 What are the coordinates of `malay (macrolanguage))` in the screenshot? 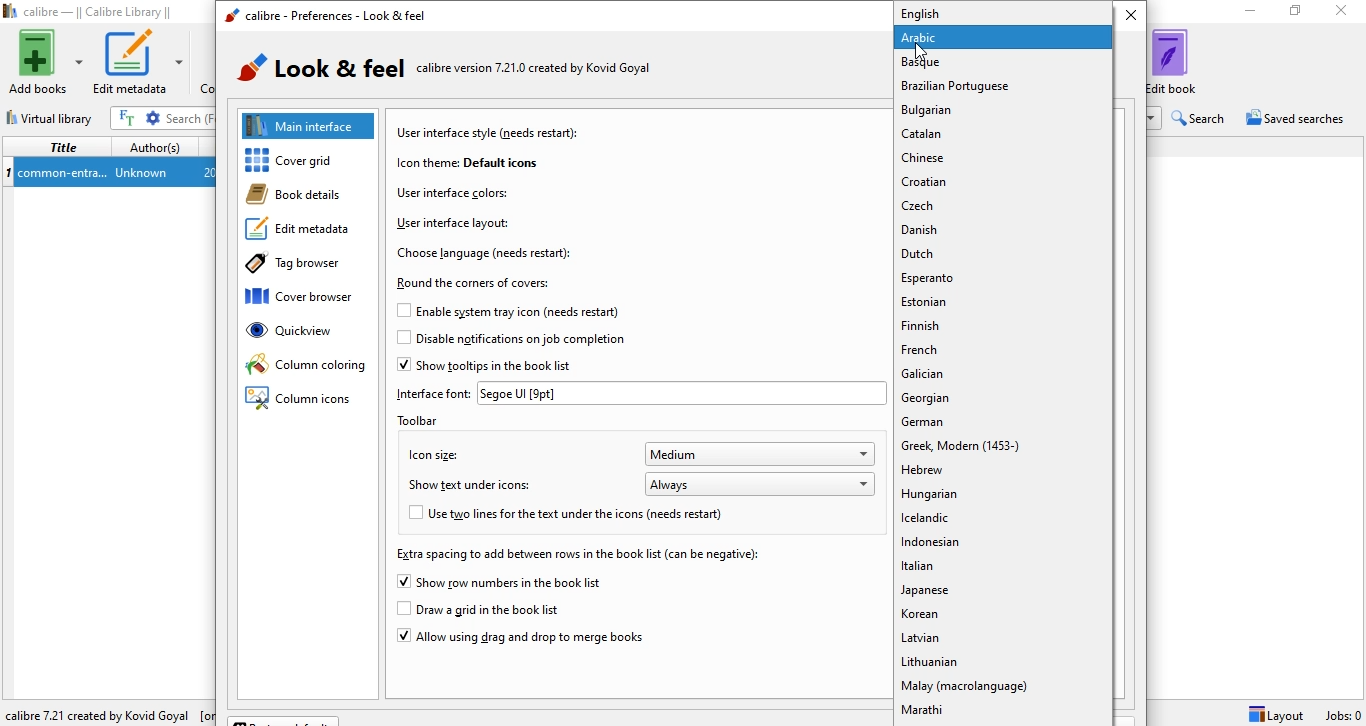 It's located at (1006, 688).